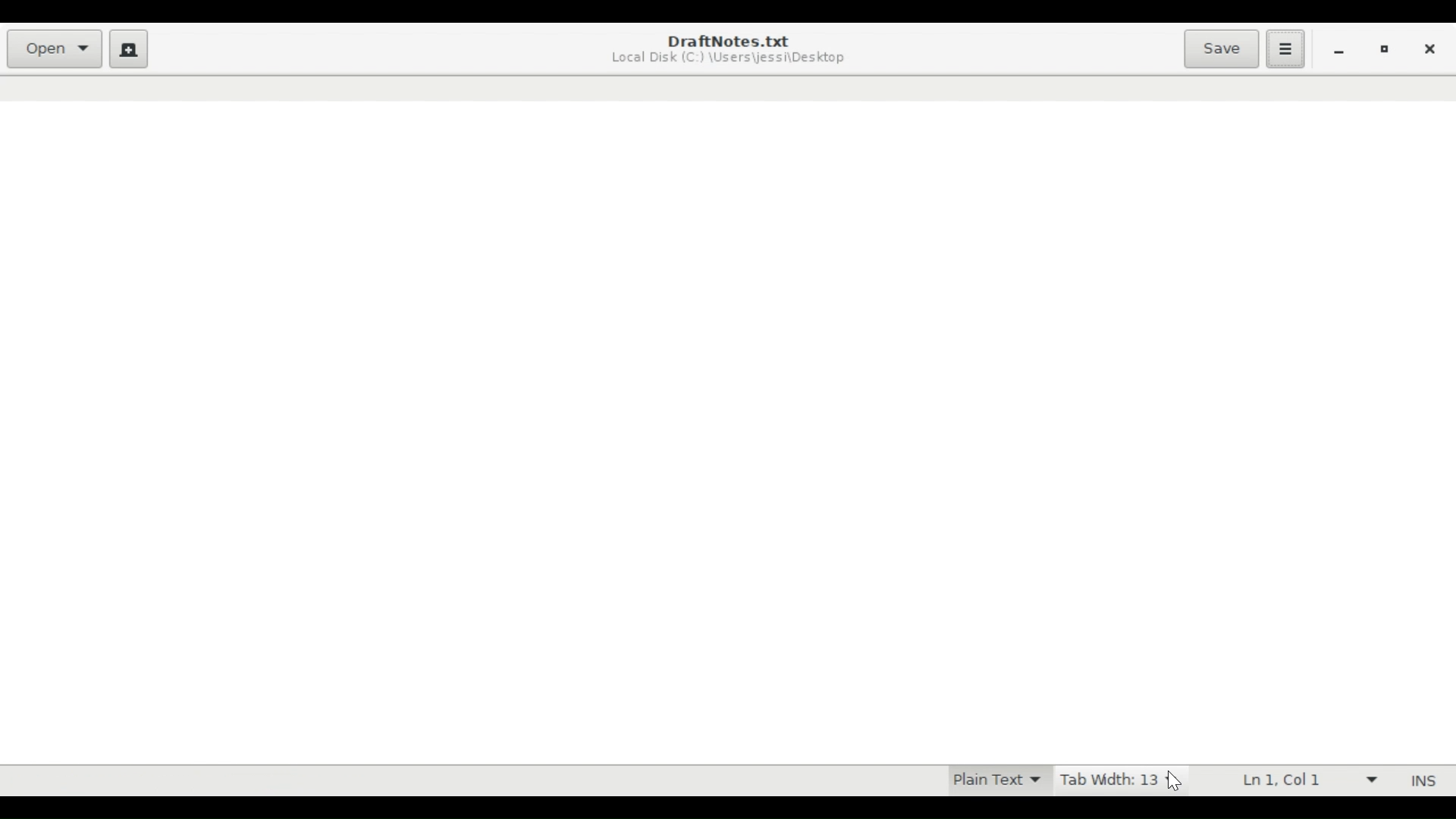  I want to click on cursor, so click(1175, 782).